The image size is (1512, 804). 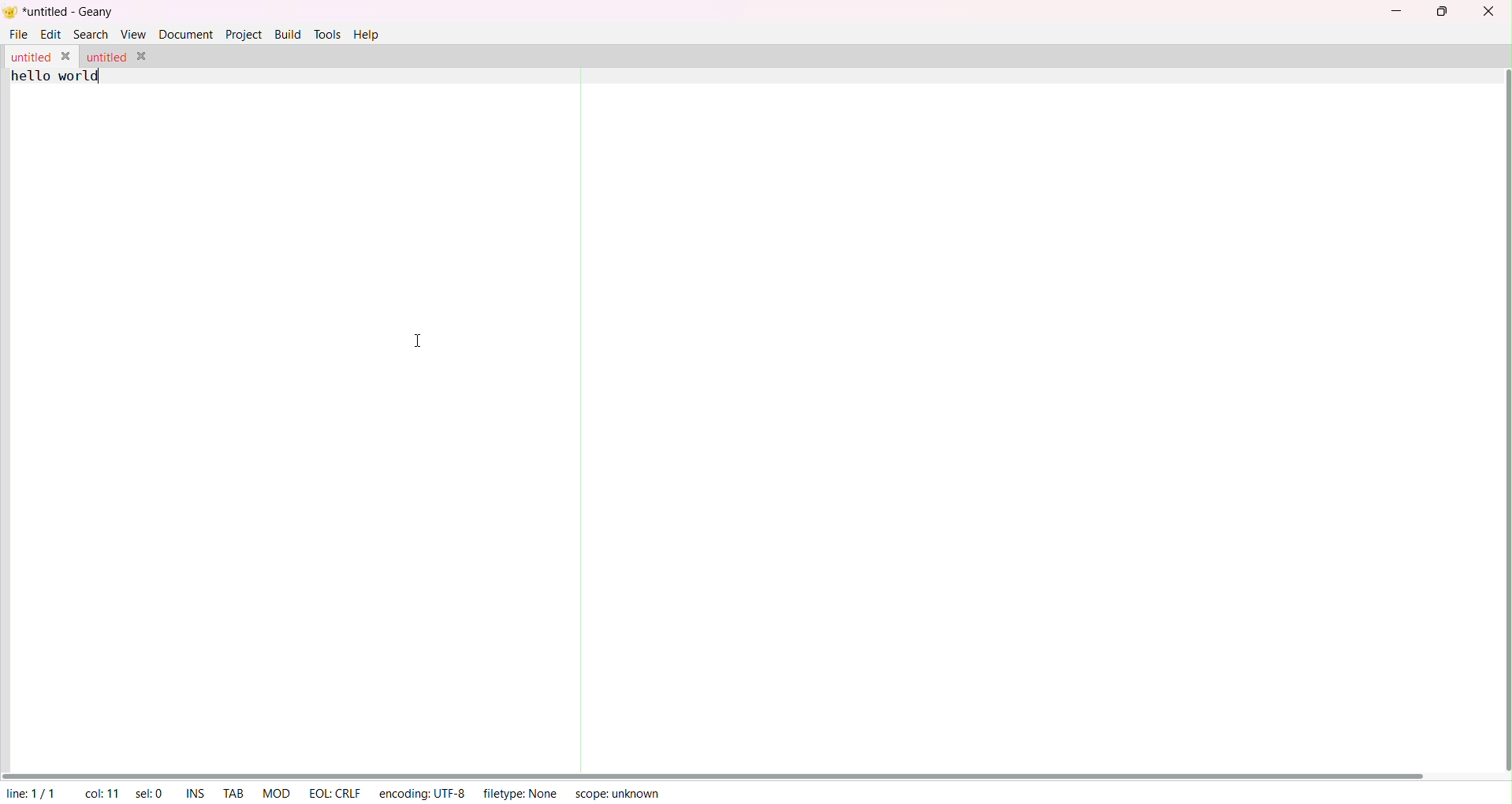 I want to click on horizontal scroll bar, so click(x=718, y=771).